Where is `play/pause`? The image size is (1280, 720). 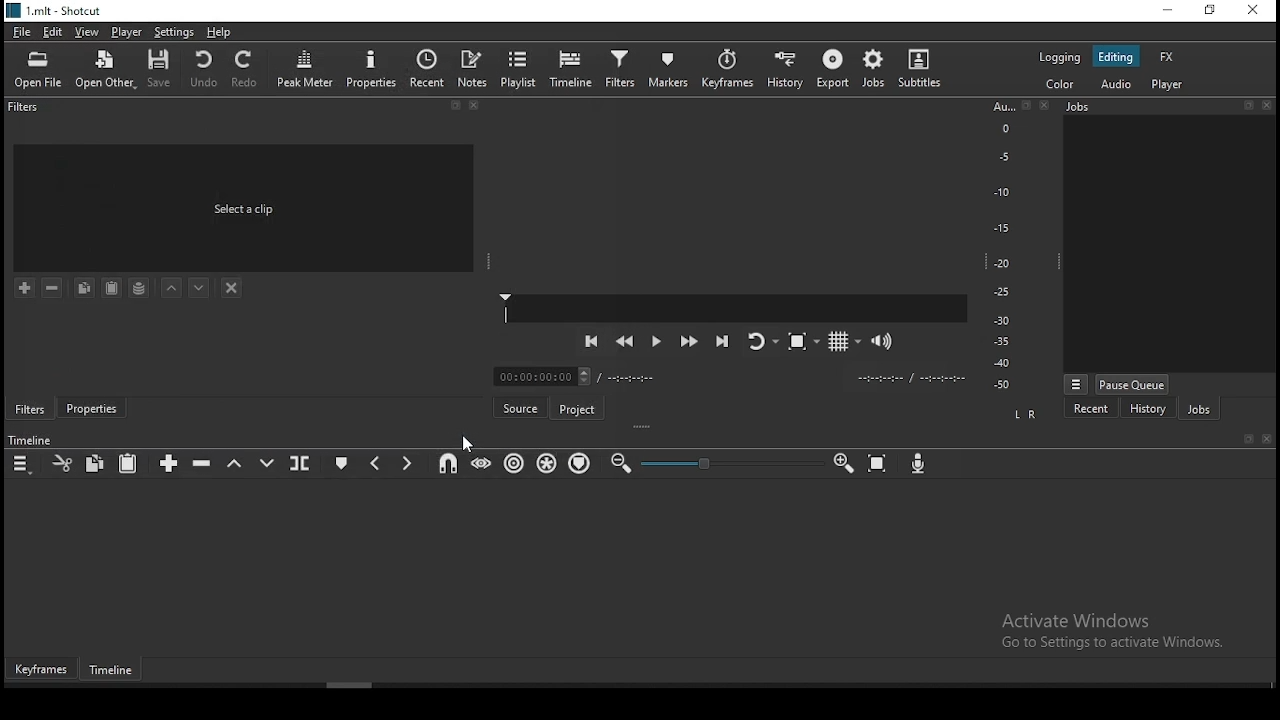
play/pause is located at coordinates (655, 345).